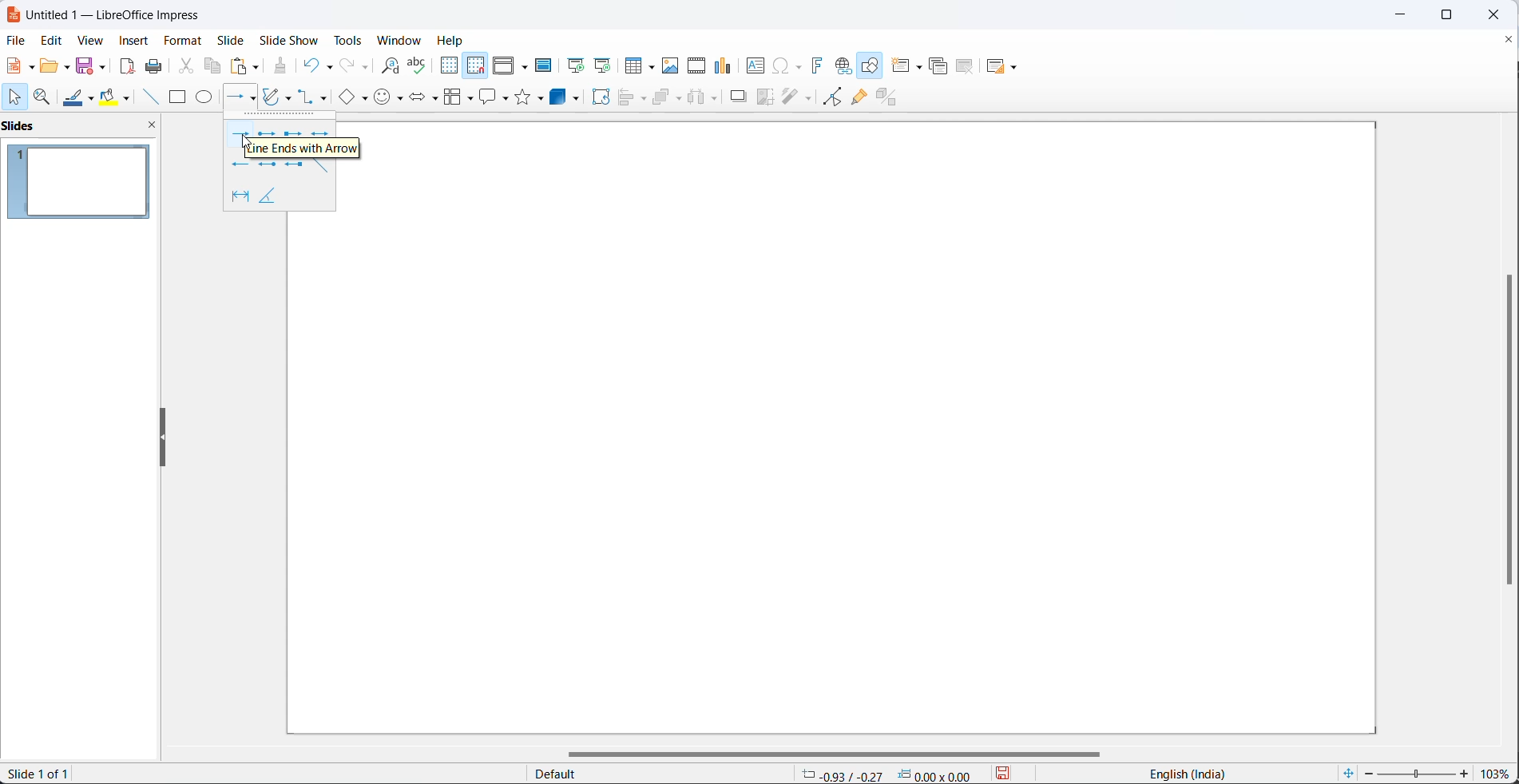 The height and width of the screenshot is (784, 1519). I want to click on empty page, so click(328, 473).